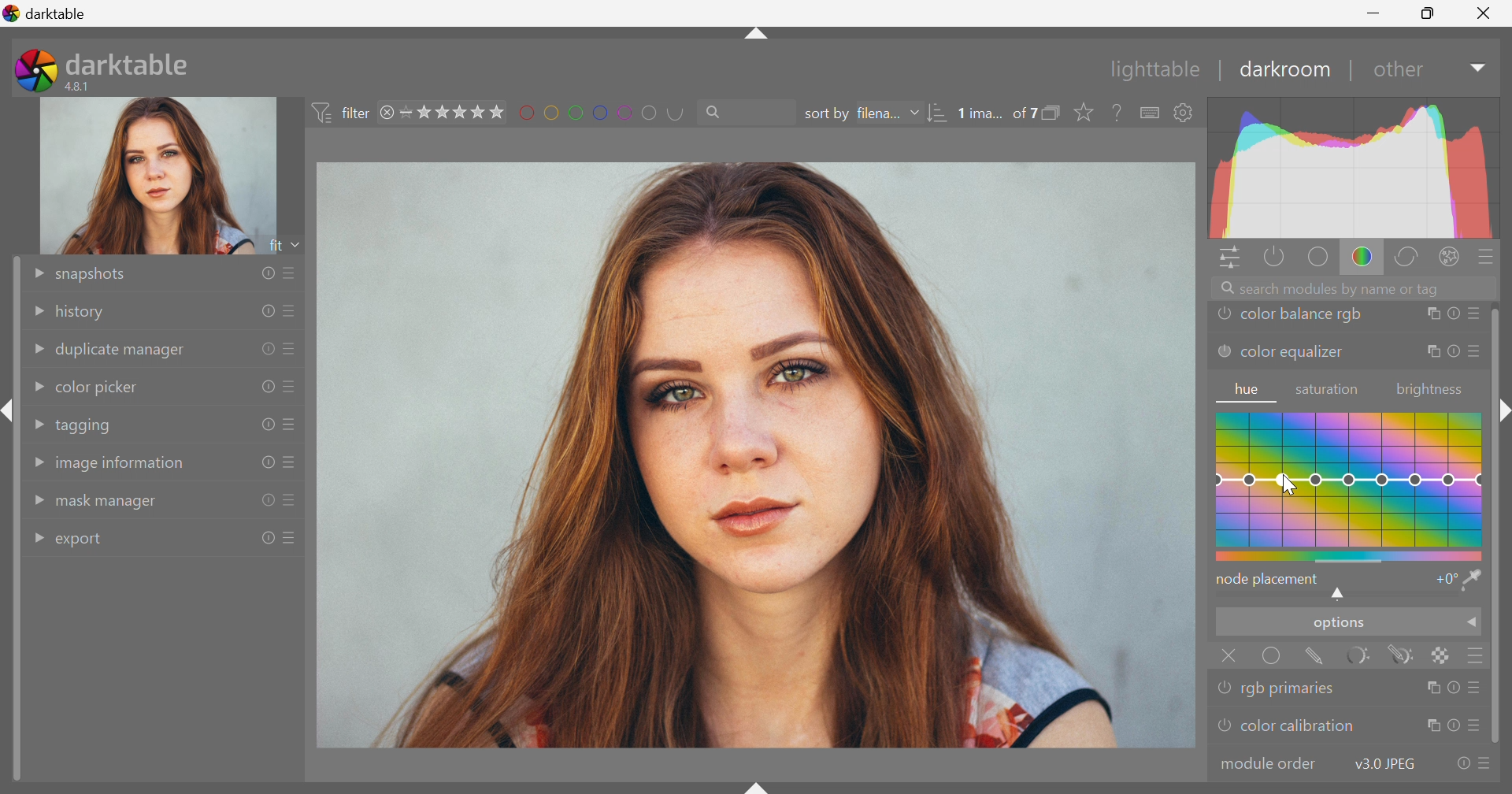  I want to click on 'color calibration' is switched off, so click(1221, 728).